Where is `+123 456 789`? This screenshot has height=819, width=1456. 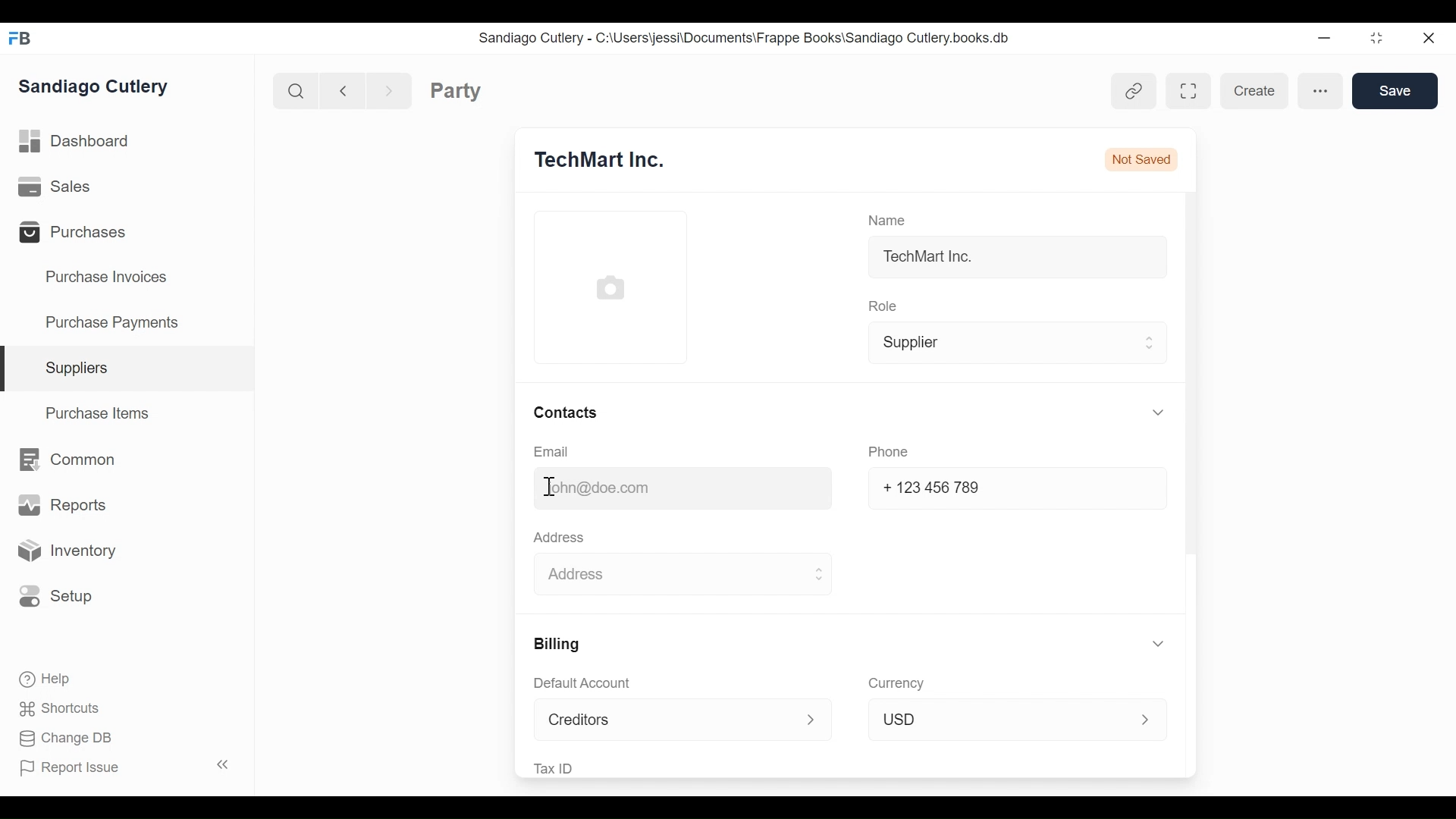 +123 456 789 is located at coordinates (934, 487).